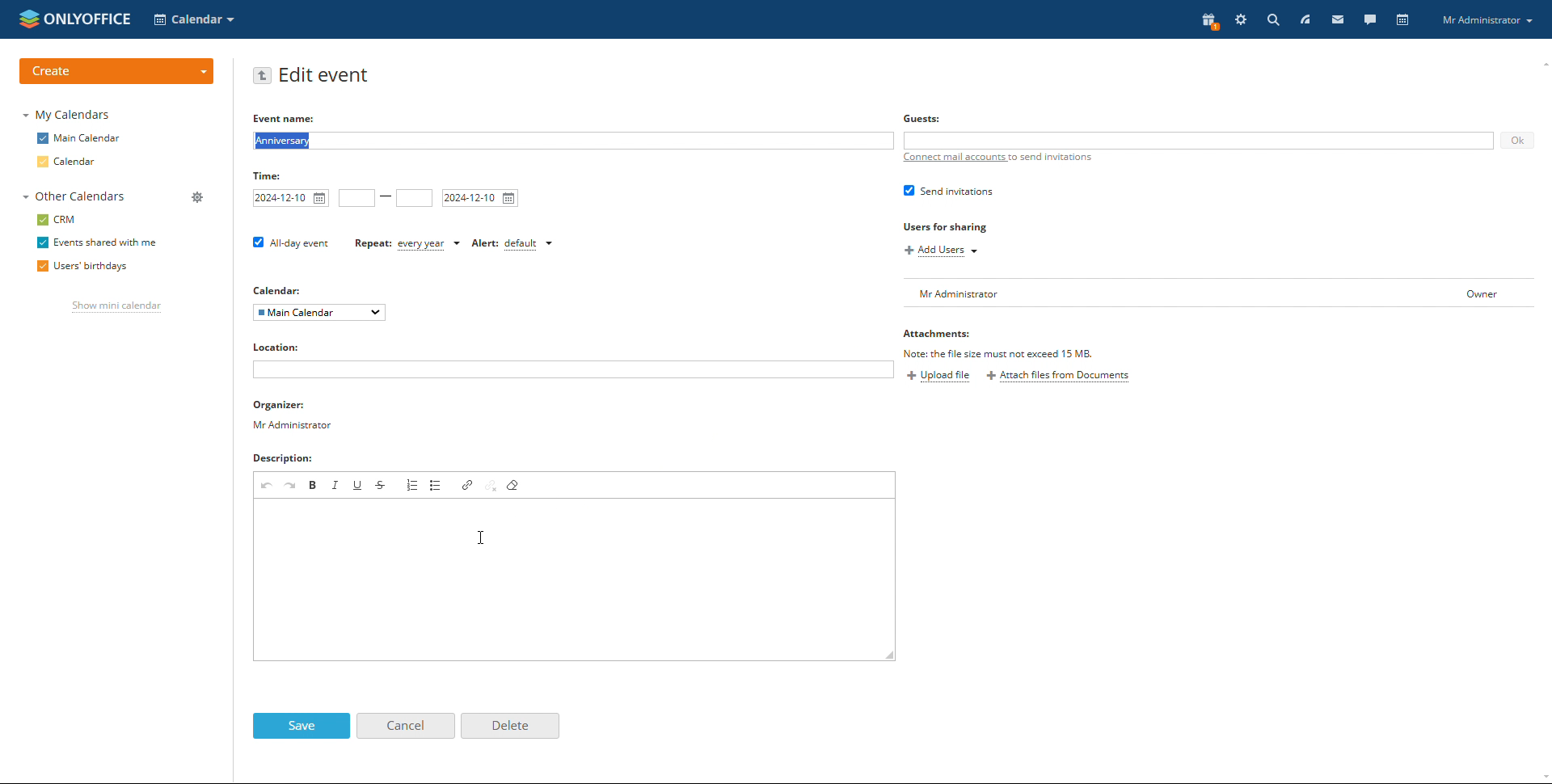 The image size is (1552, 784). I want to click on Guests:, so click(921, 117).